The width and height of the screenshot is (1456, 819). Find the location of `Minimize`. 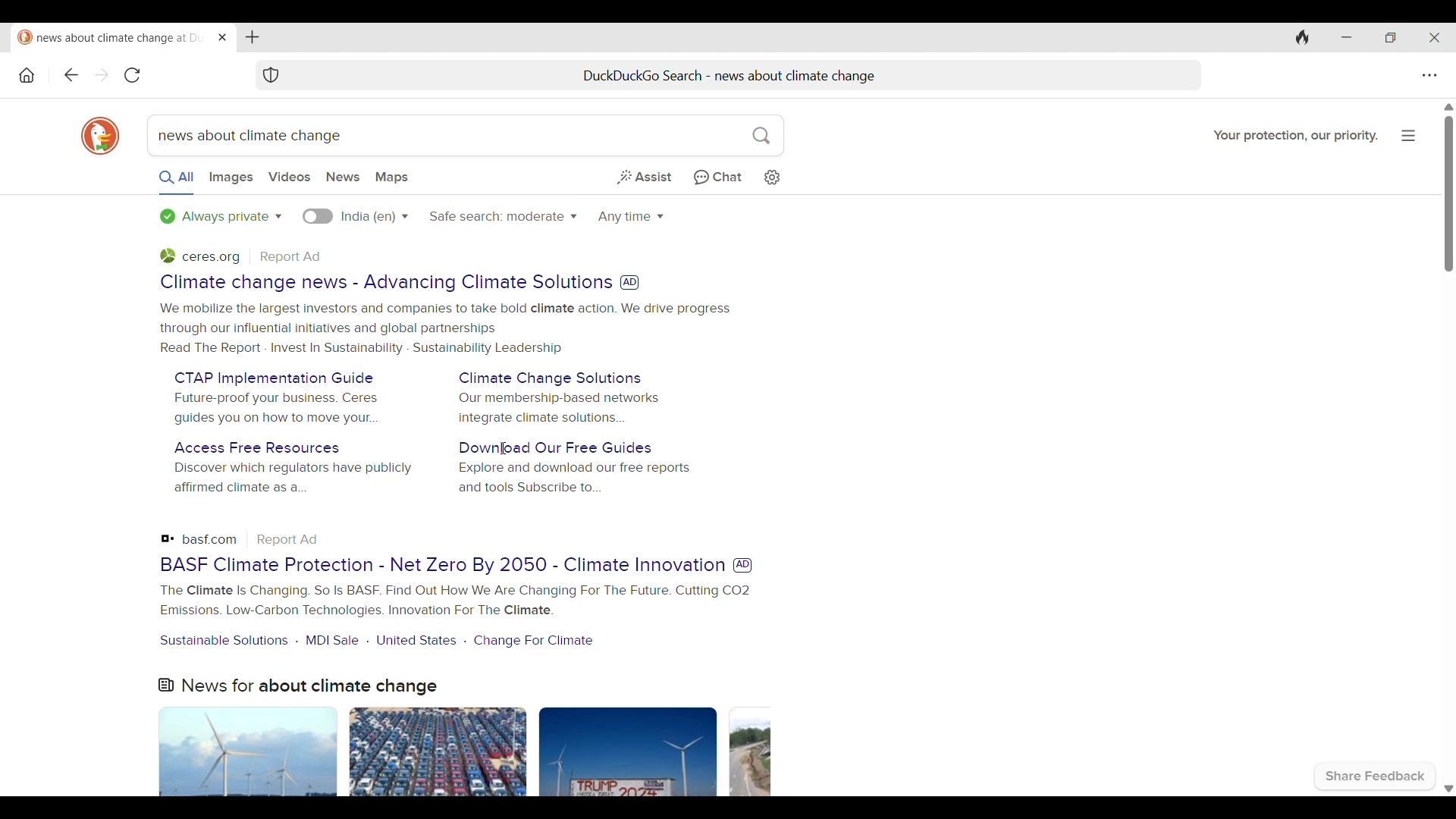

Minimize is located at coordinates (1346, 38).